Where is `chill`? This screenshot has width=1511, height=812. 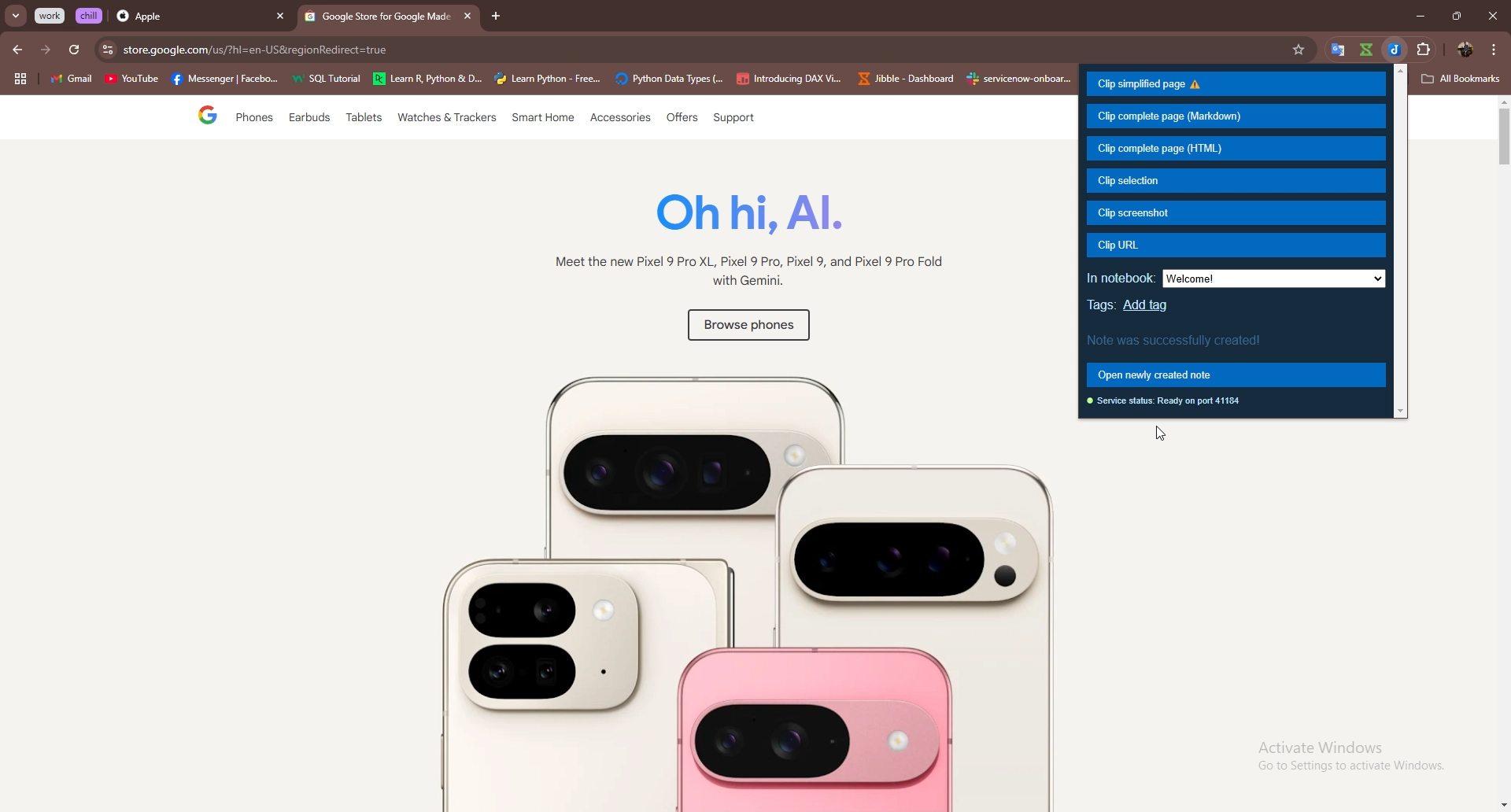
chill is located at coordinates (91, 15).